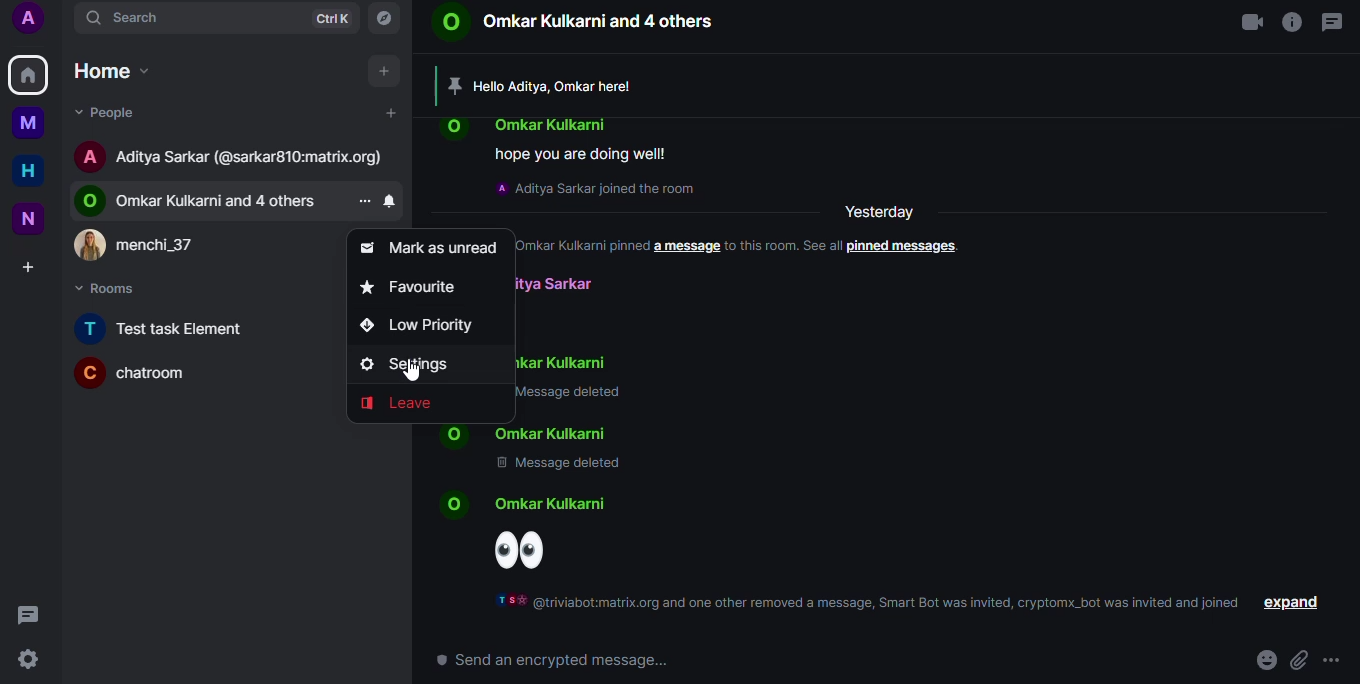  I want to click on message, so click(31, 615).